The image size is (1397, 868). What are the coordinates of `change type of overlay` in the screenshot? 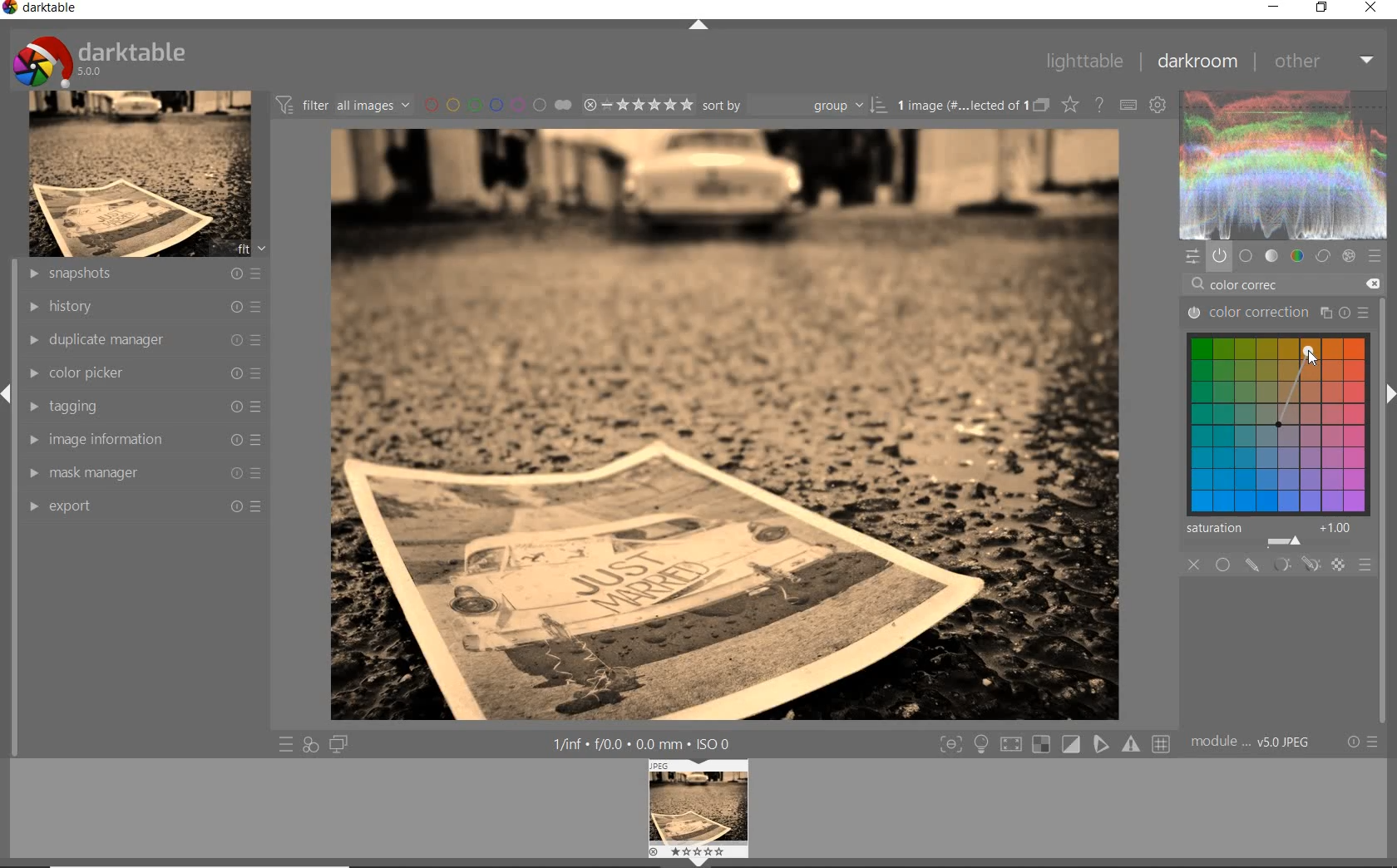 It's located at (1069, 106).